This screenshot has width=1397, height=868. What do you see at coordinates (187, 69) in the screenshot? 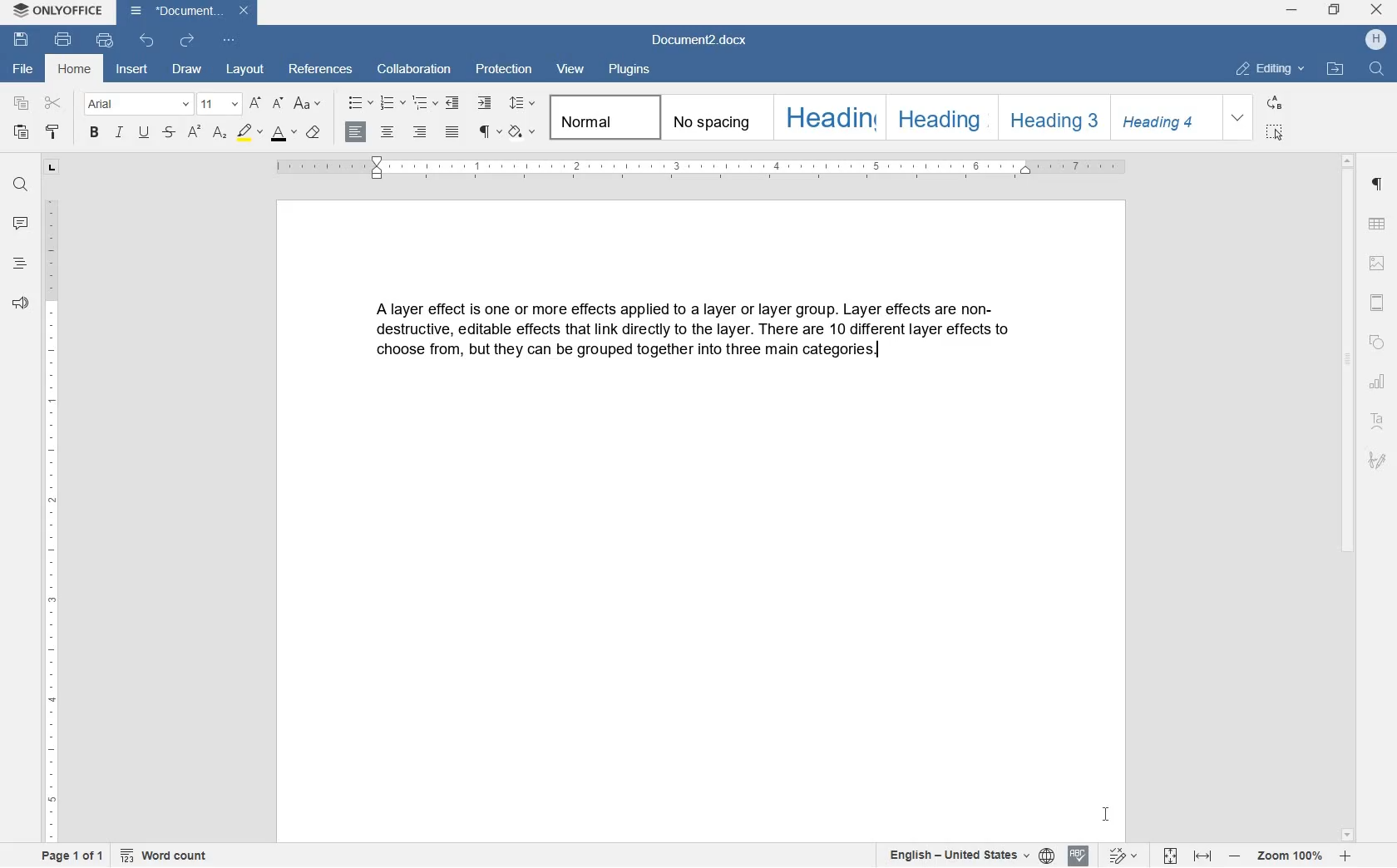
I see `DRAW` at bounding box center [187, 69].